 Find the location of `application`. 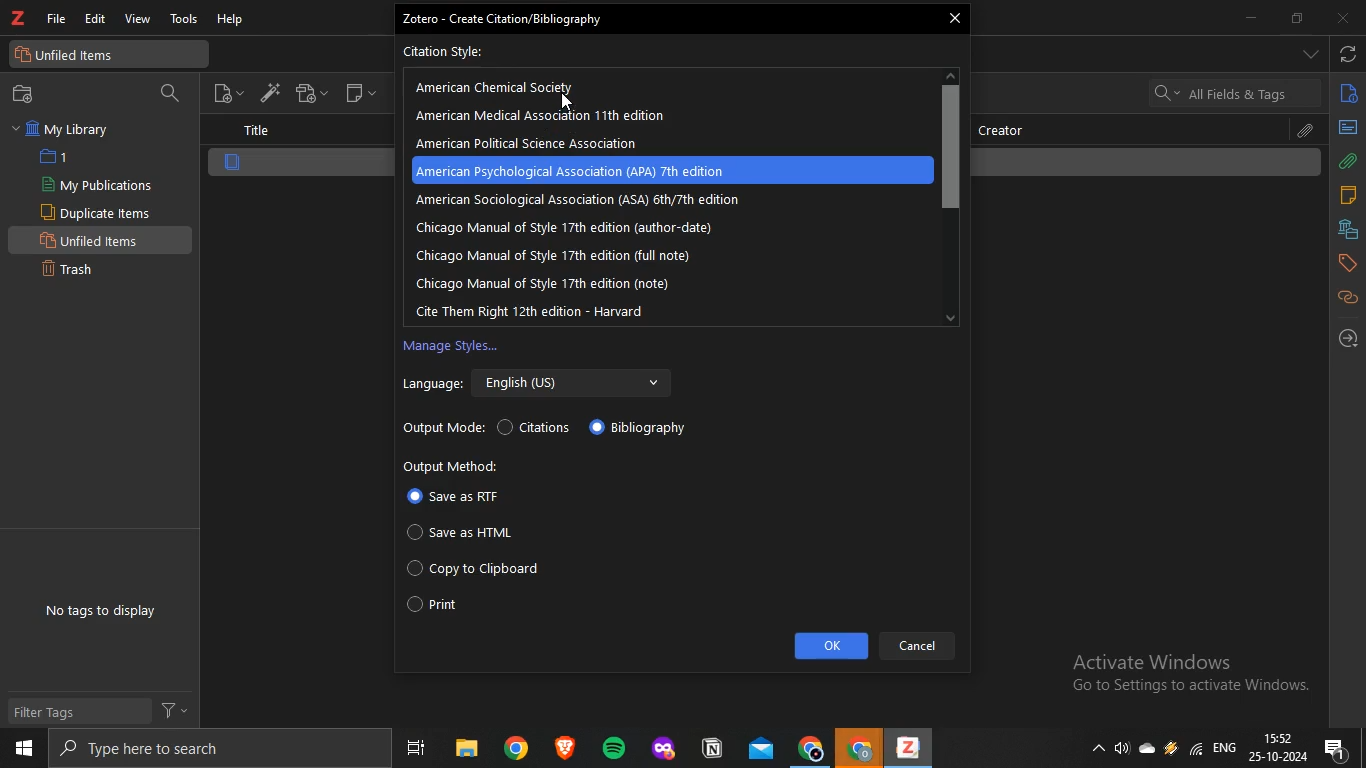

application is located at coordinates (666, 749).